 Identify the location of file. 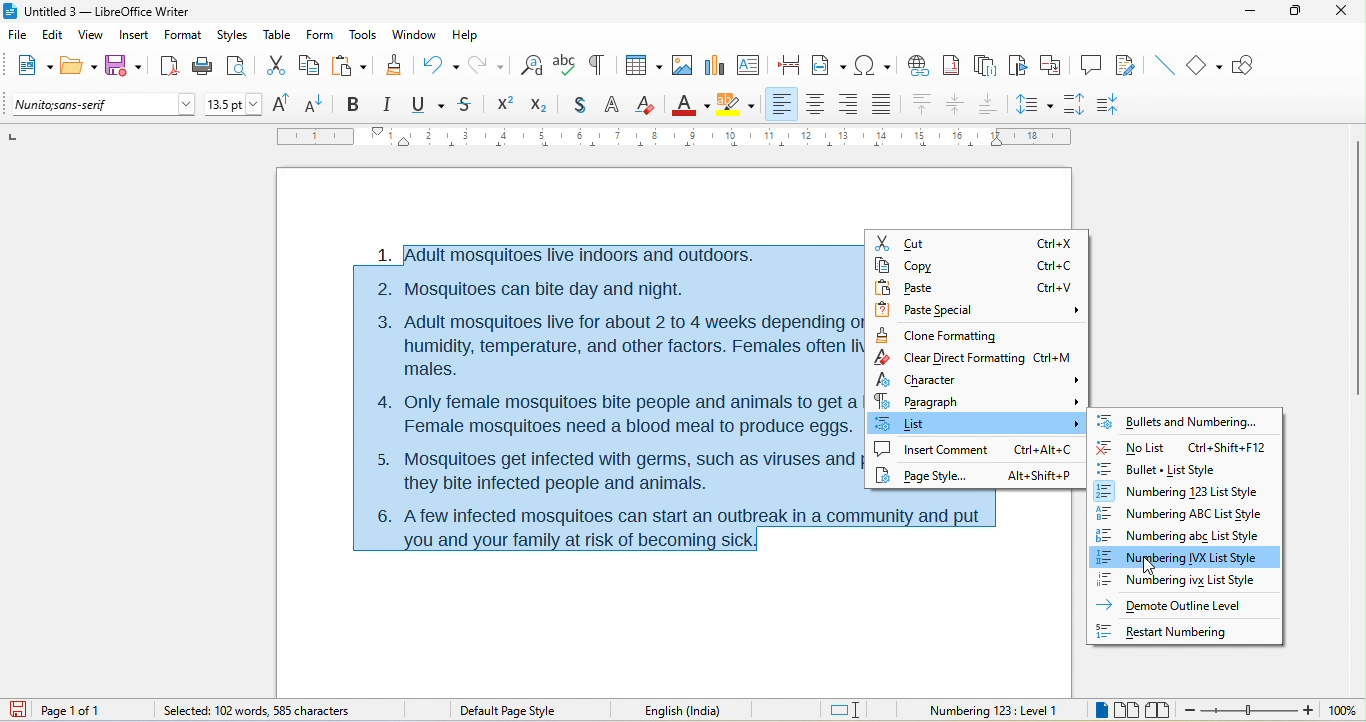
(15, 33).